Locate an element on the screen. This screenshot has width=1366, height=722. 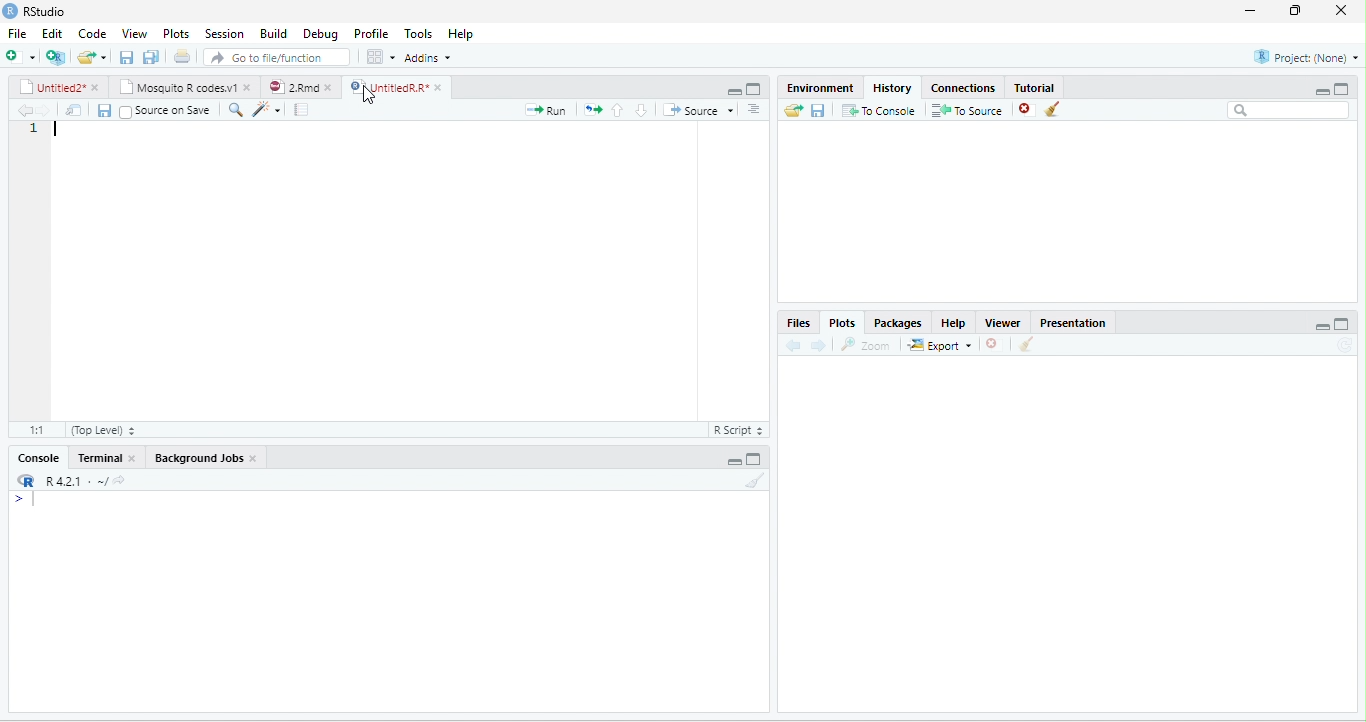
document is located at coordinates (300, 111).